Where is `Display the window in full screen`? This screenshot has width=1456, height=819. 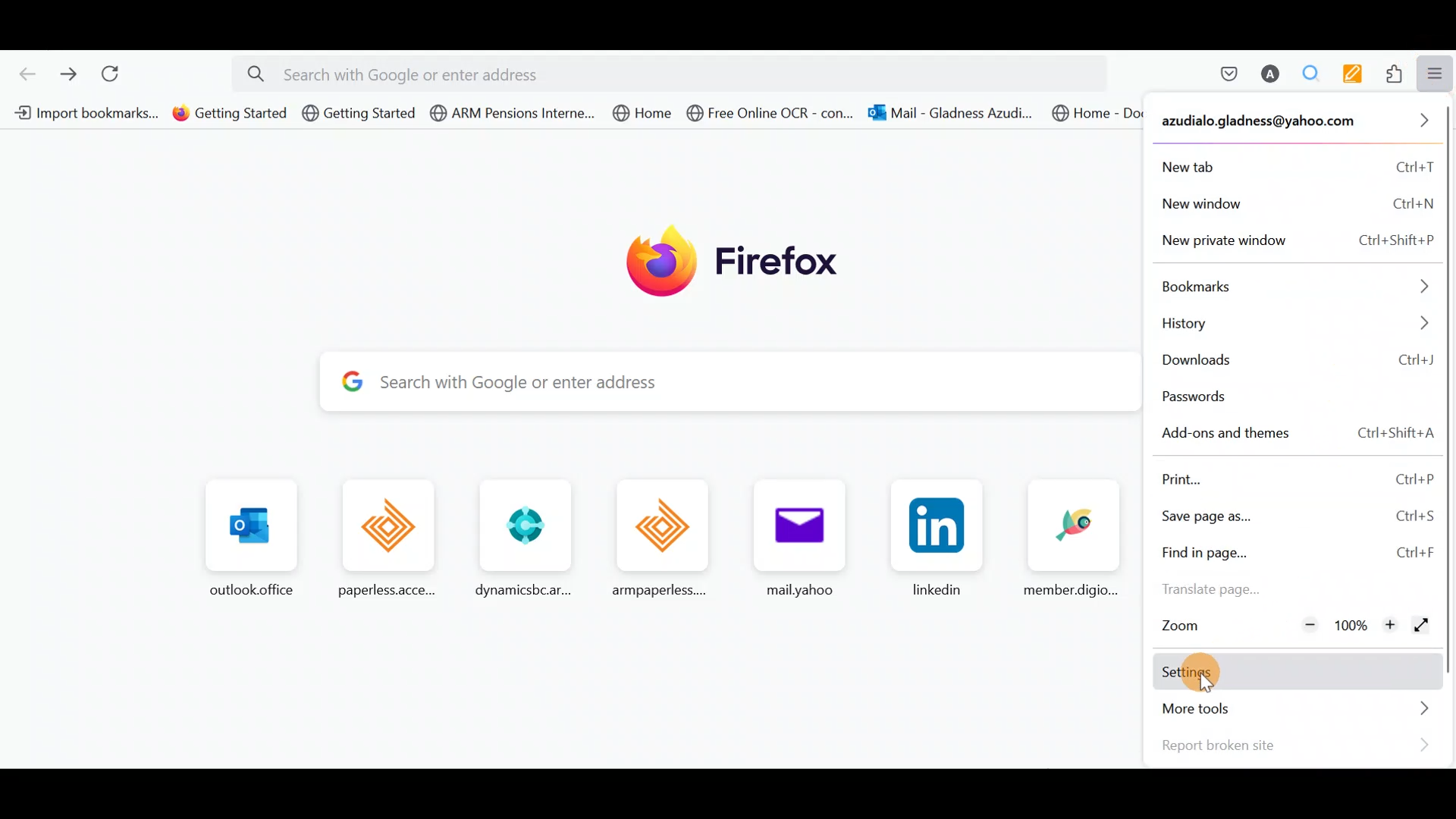
Display the window in full screen is located at coordinates (1421, 624).